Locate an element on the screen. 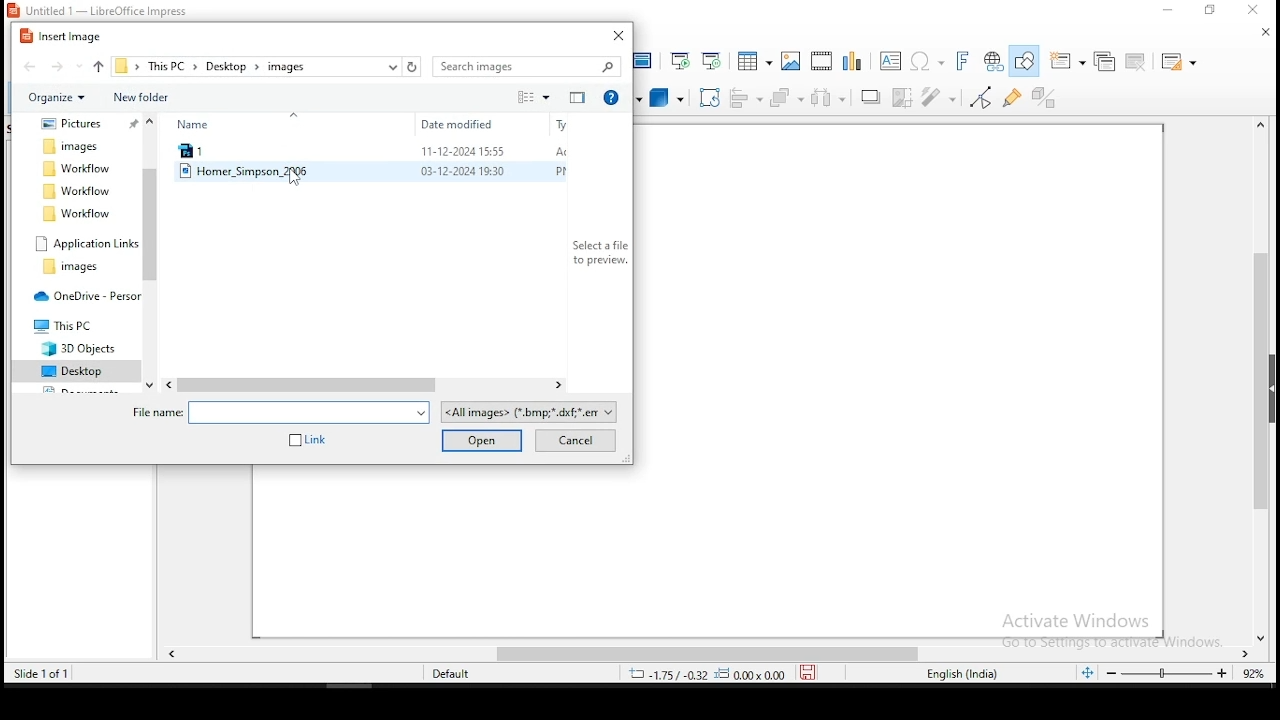  cancel is located at coordinates (579, 441).